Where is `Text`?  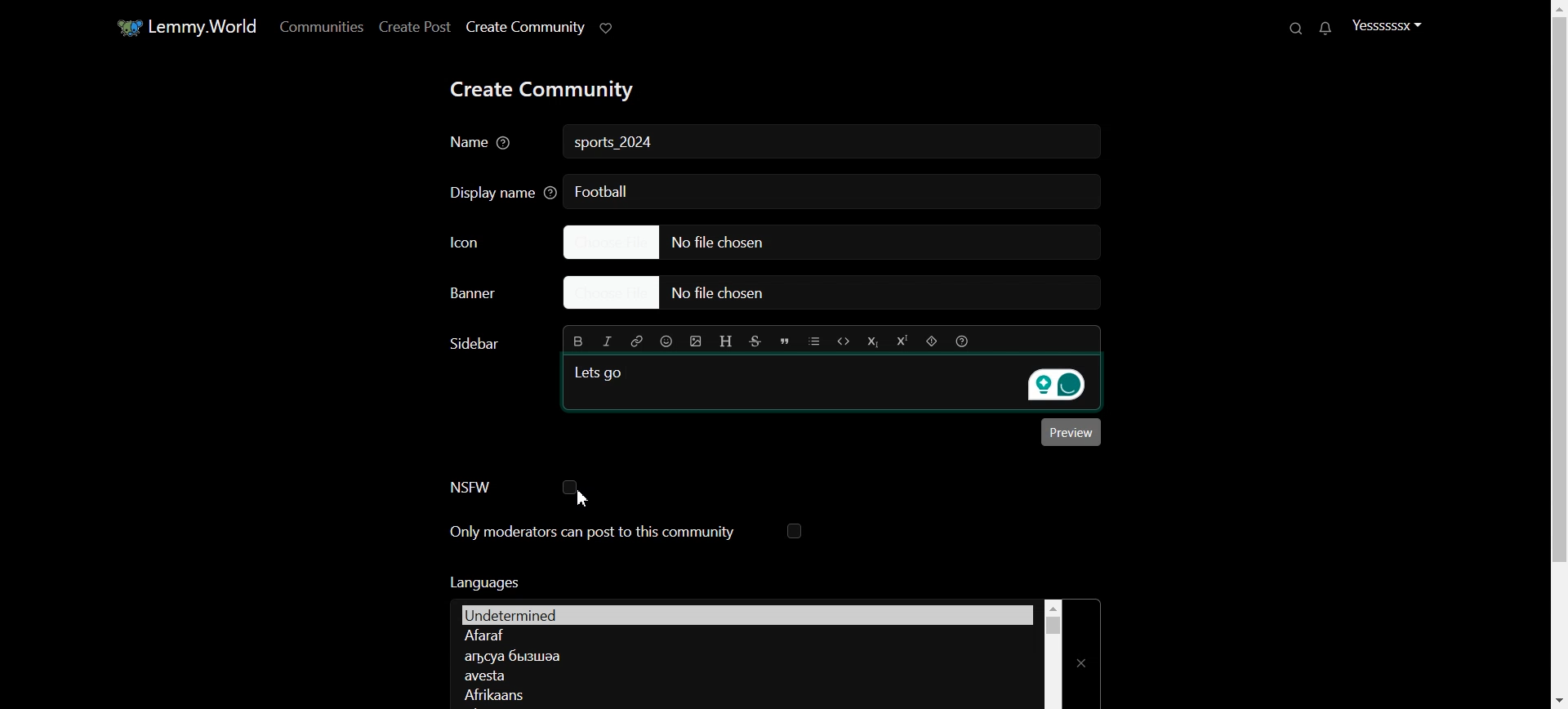 Text is located at coordinates (602, 372).